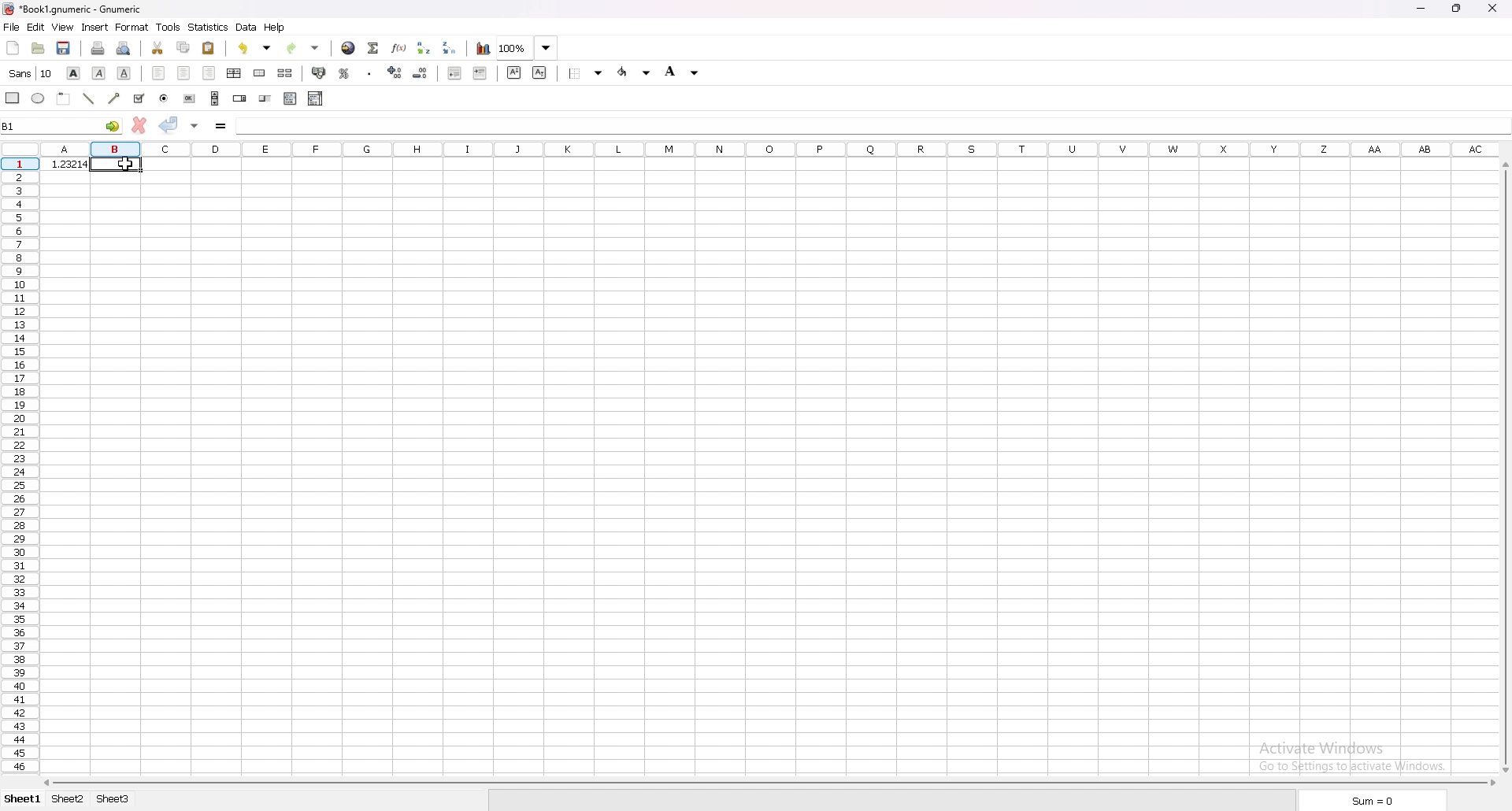  Describe the element at coordinates (208, 27) in the screenshot. I see `statistics` at that location.